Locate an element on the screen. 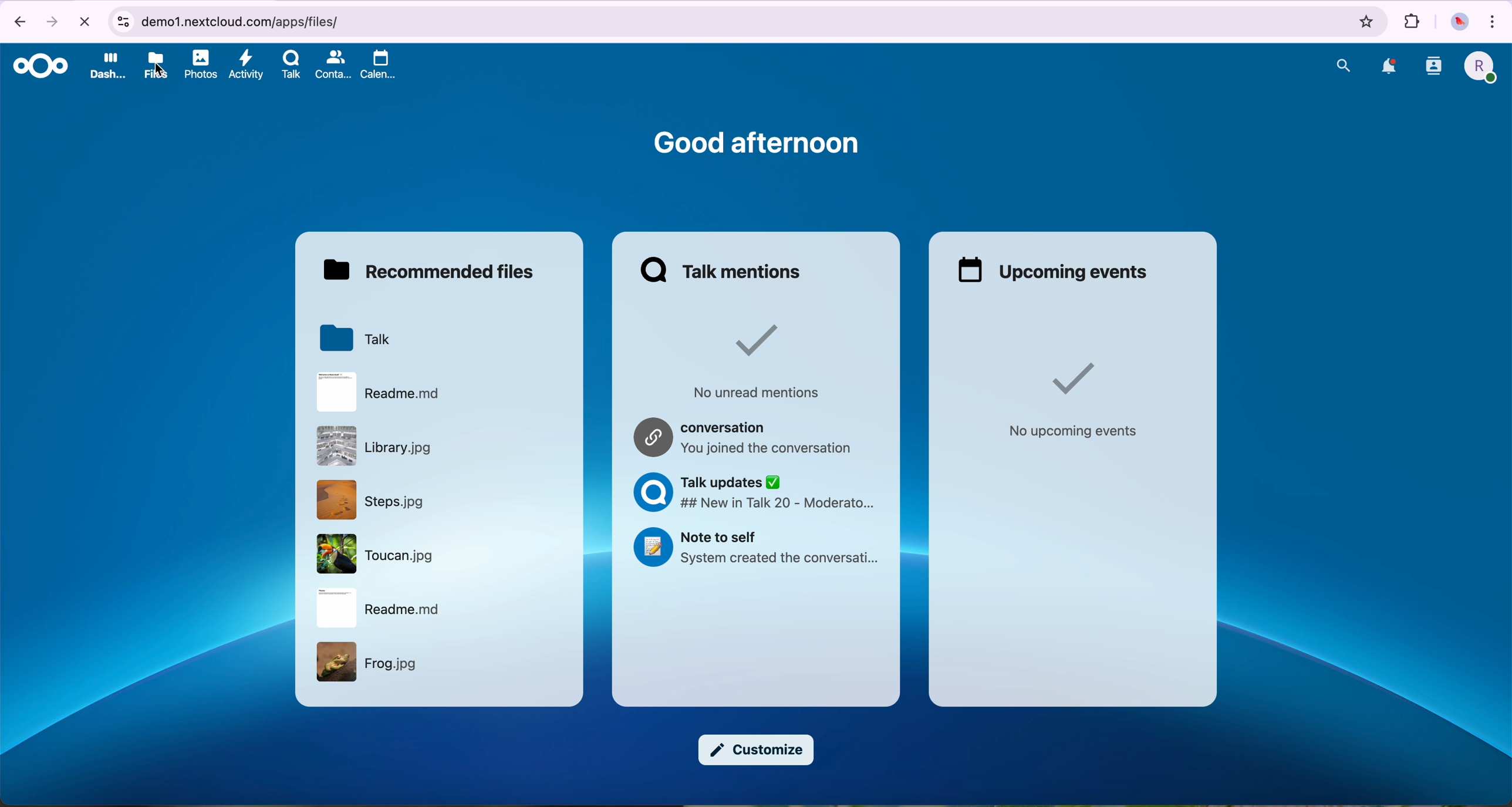  readme.md is located at coordinates (378, 608).